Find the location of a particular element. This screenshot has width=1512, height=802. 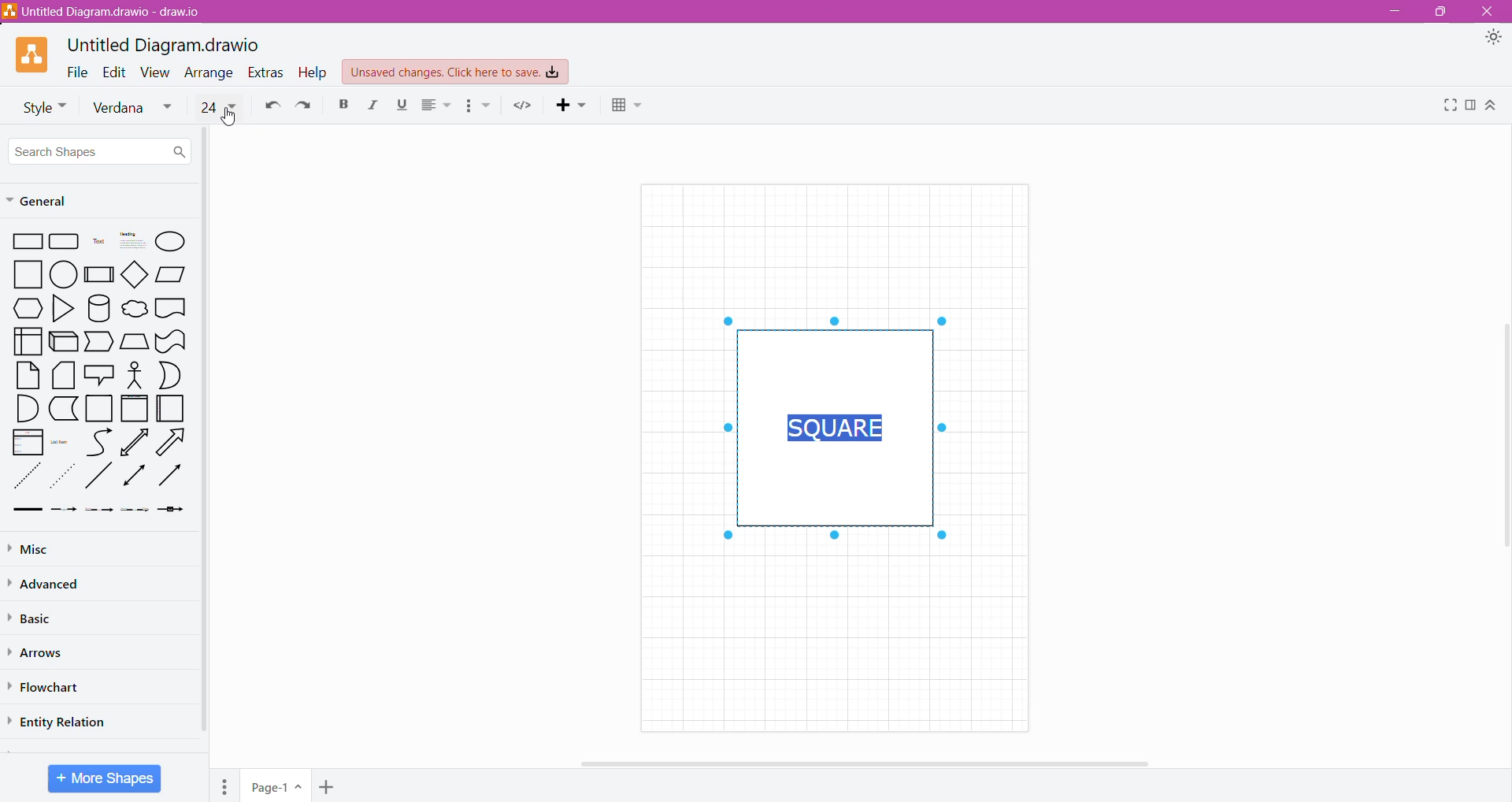

Table is located at coordinates (627, 108).